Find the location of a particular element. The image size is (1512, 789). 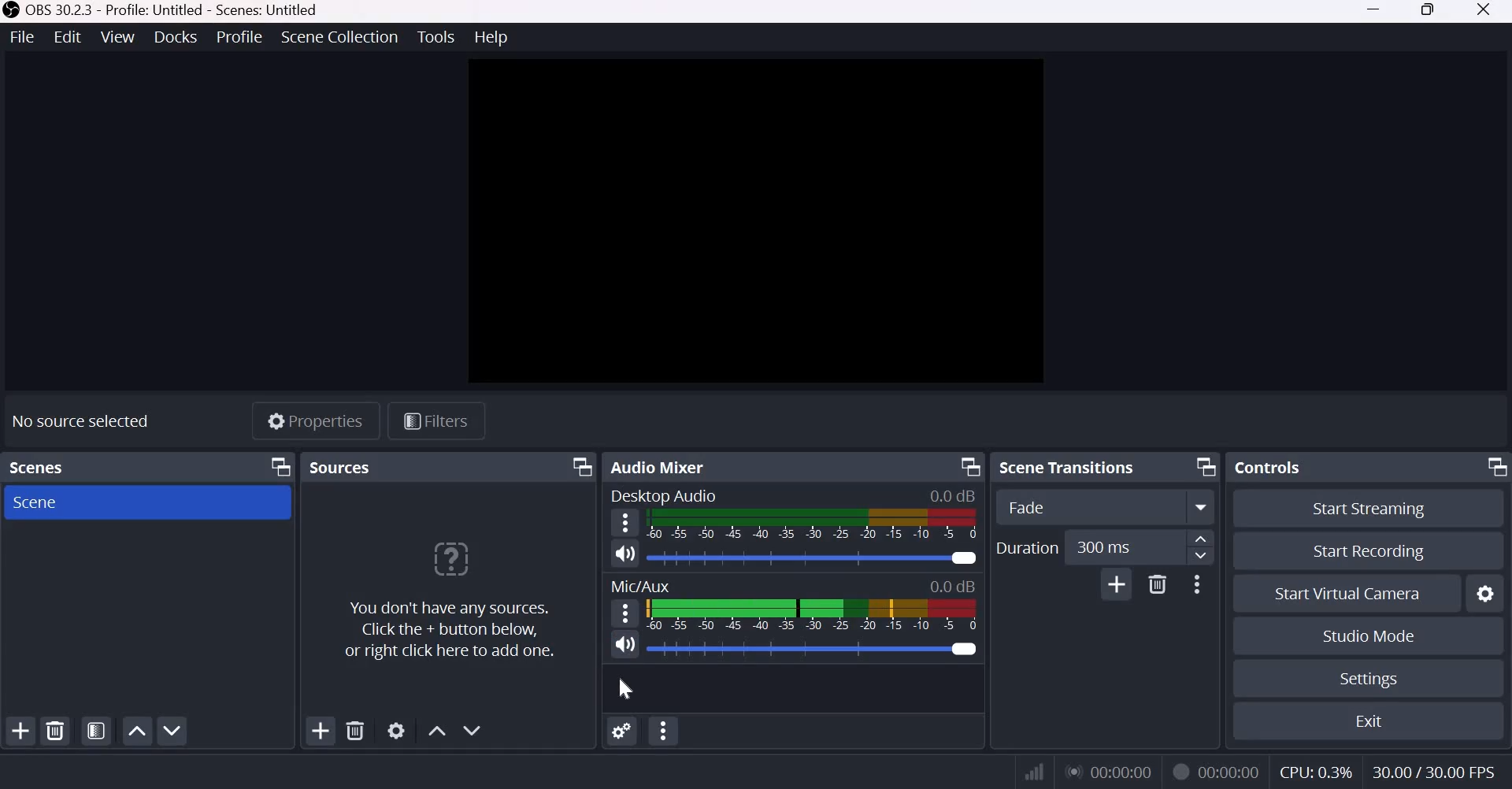

Add scene is located at coordinates (20, 731).